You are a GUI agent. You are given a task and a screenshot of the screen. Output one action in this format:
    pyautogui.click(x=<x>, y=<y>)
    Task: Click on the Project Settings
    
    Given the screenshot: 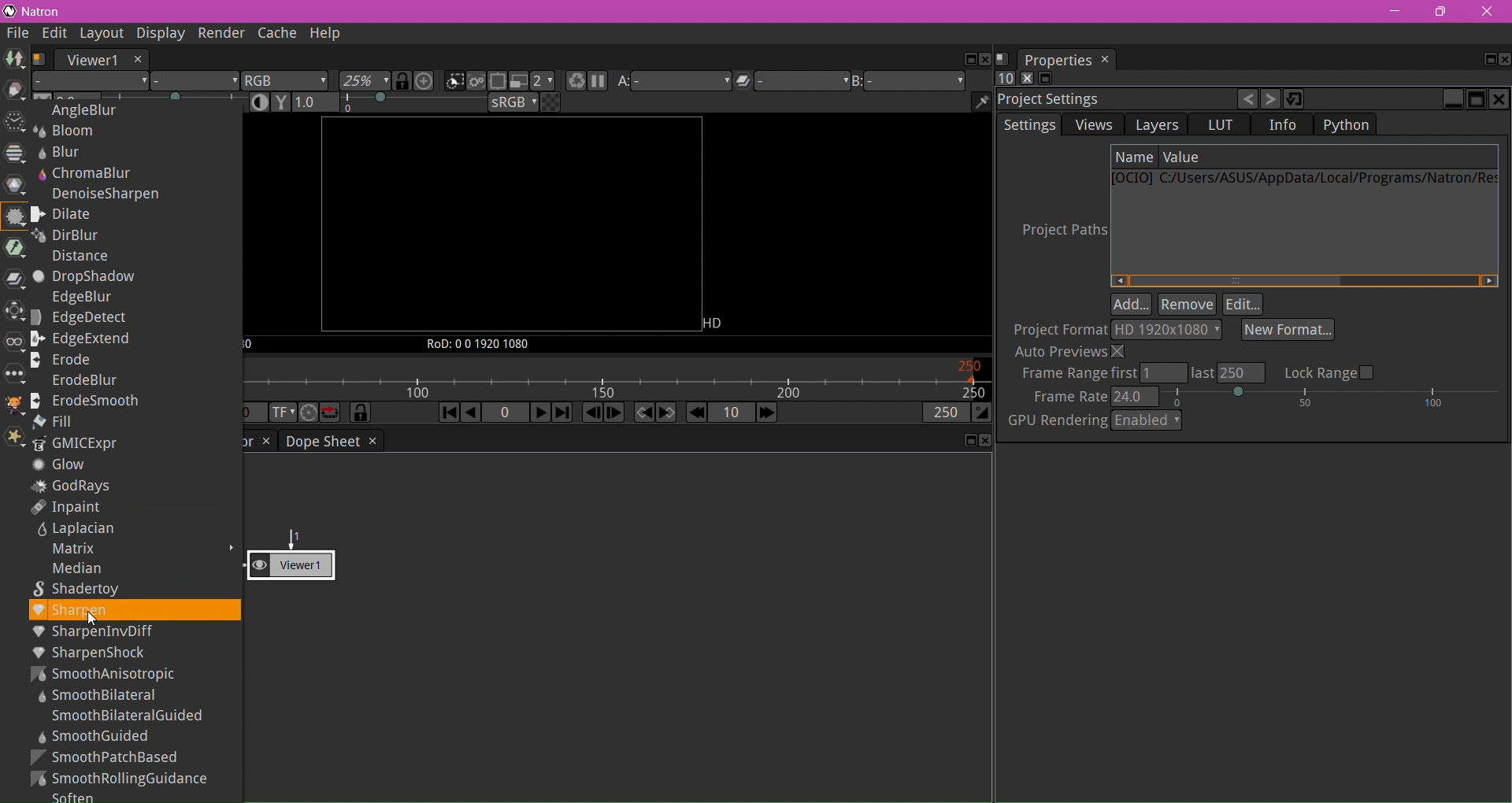 What is the action you would take?
    pyautogui.click(x=1053, y=100)
    